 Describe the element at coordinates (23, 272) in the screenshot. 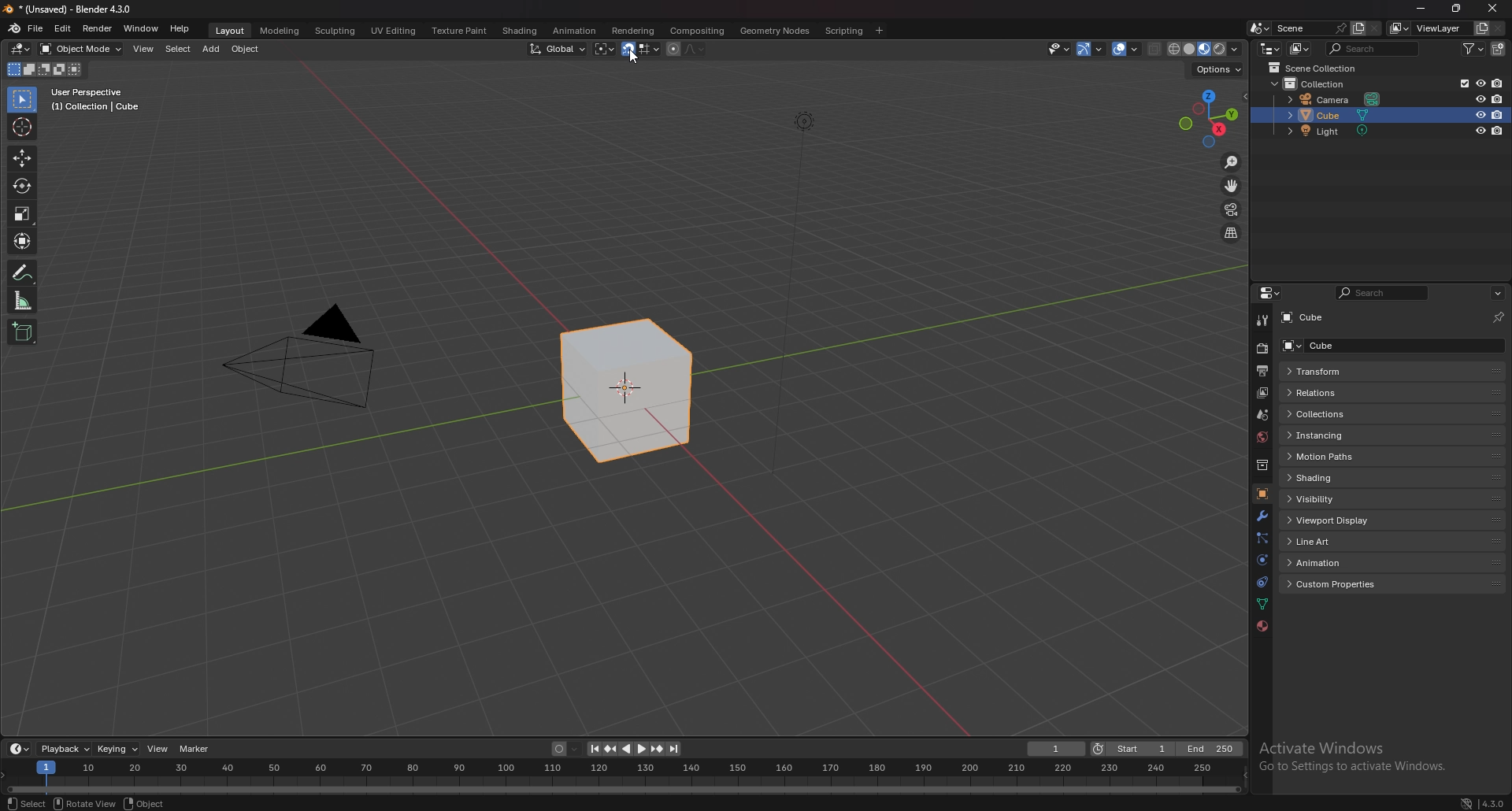

I see `annotate` at that location.